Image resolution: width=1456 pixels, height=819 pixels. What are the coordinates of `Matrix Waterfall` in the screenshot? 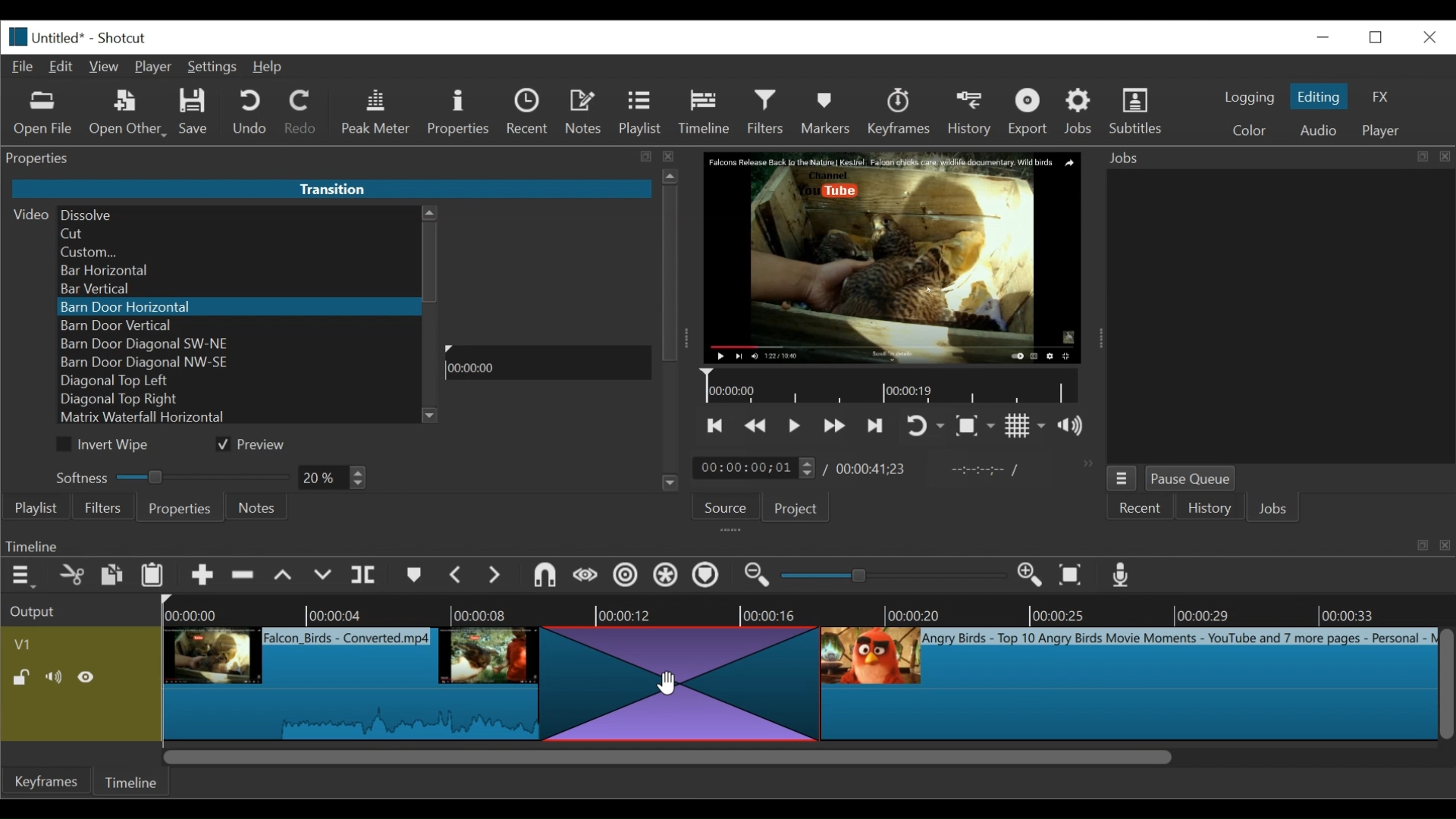 It's located at (239, 419).